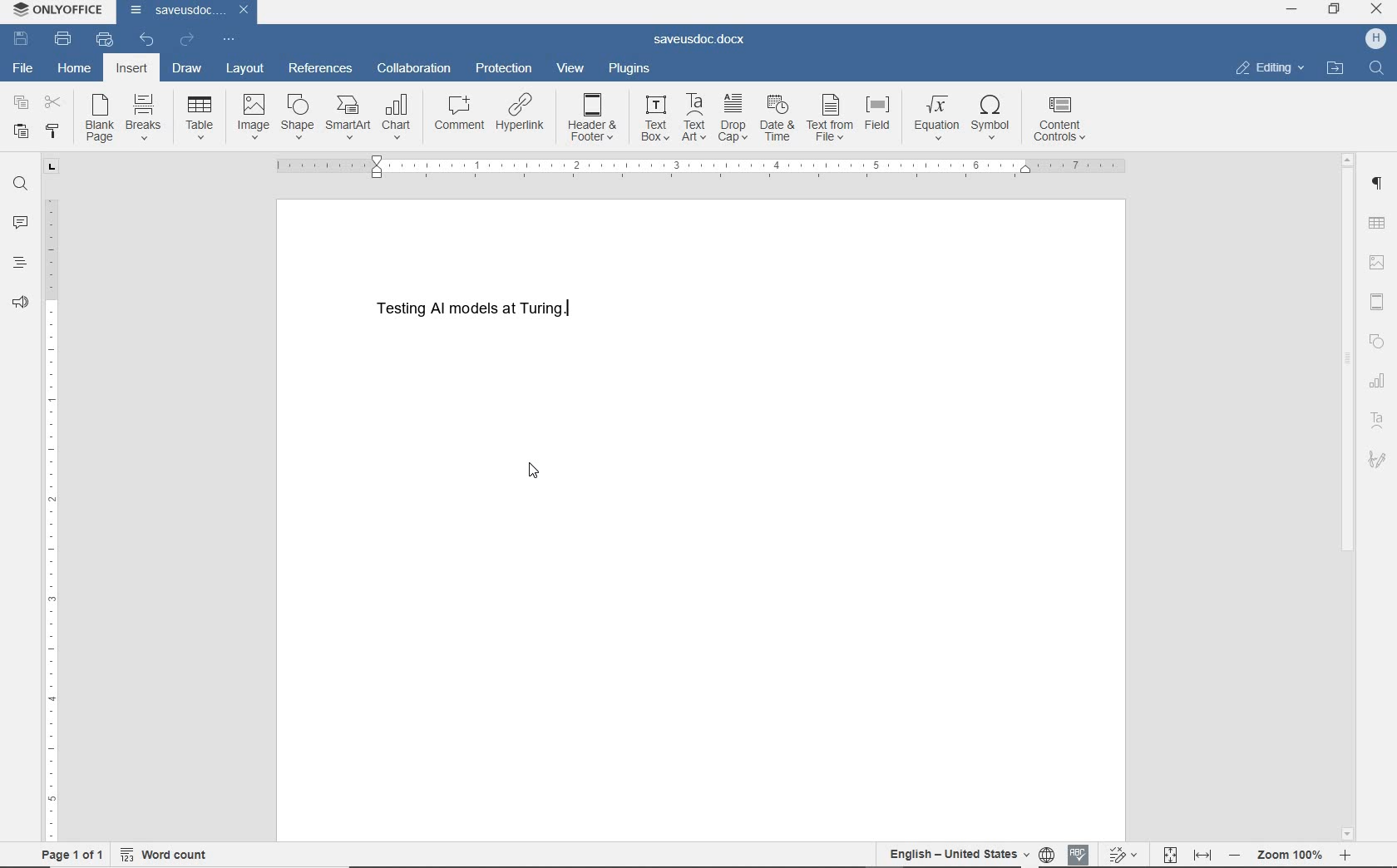 The width and height of the screenshot is (1397, 868). What do you see at coordinates (1292, 855) in the screenshot?
I see `- Zoom 100% +` at bounding box center [1292, 855].